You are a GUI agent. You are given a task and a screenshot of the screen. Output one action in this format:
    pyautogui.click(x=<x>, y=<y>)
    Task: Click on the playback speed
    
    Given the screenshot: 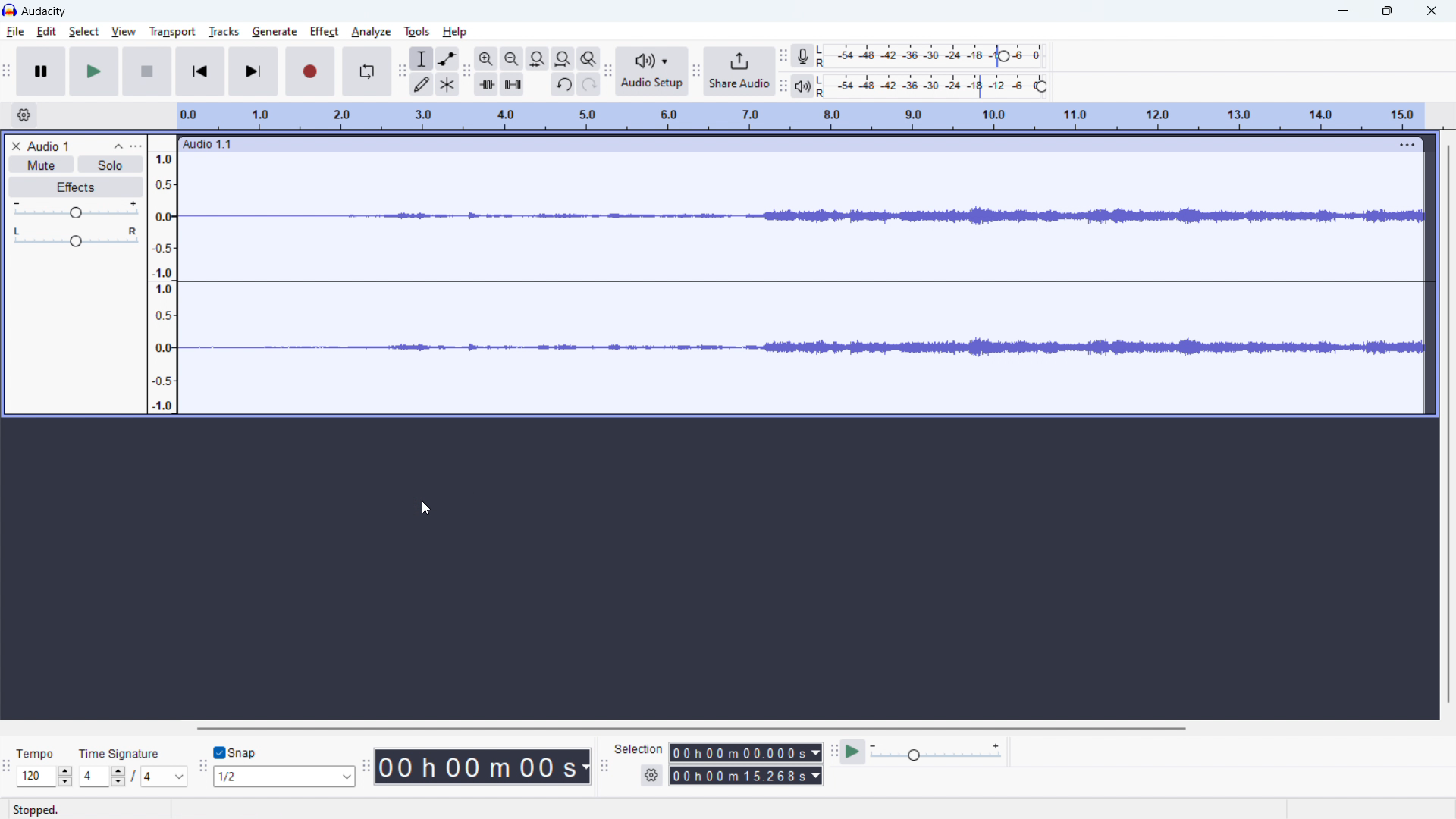 What is the action you would take?
    pyautogui.click(x=937, y=751)
    